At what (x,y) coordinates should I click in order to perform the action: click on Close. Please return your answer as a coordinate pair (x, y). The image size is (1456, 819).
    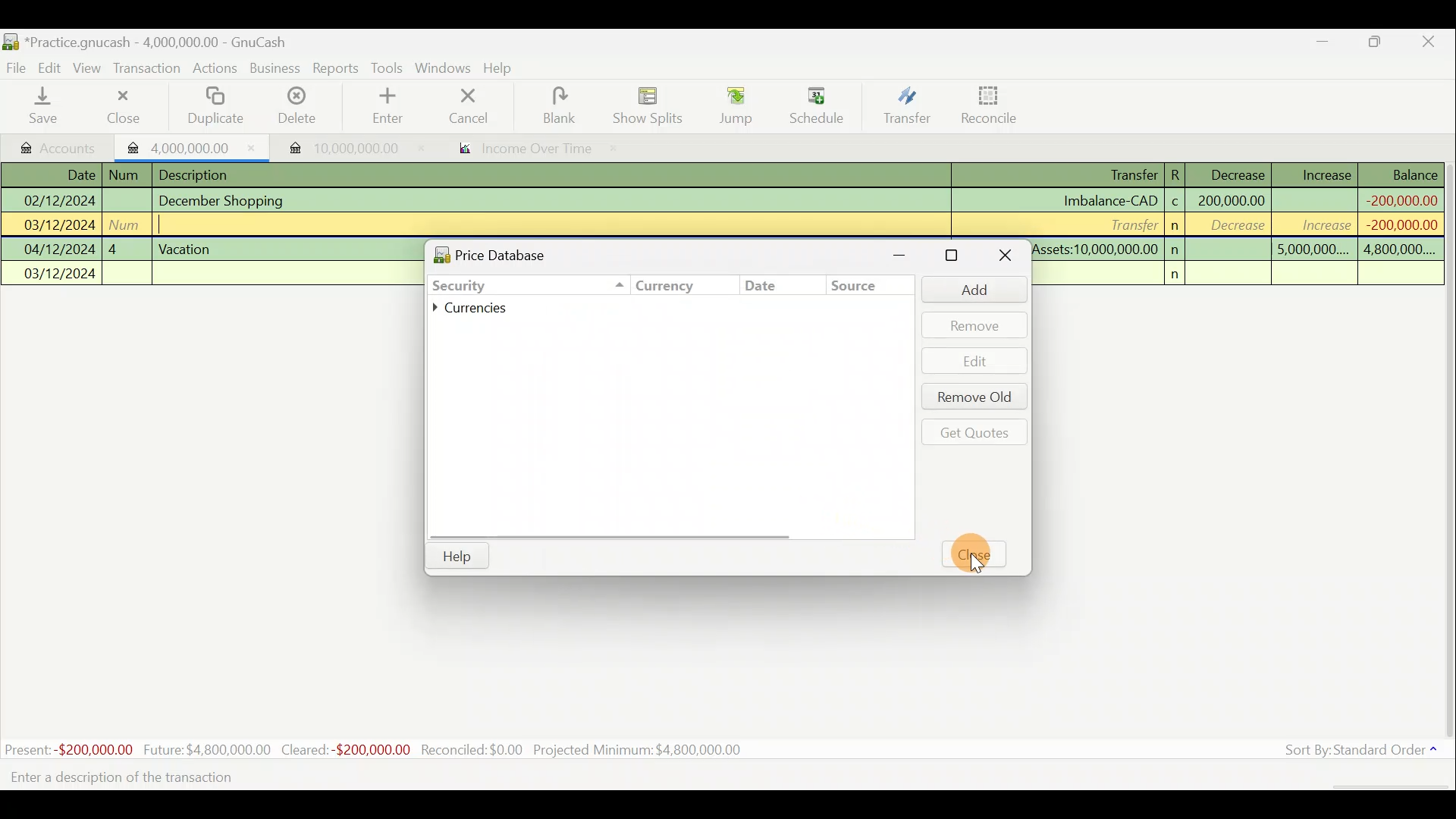
    Looking at the image, I should click on (981, 556).